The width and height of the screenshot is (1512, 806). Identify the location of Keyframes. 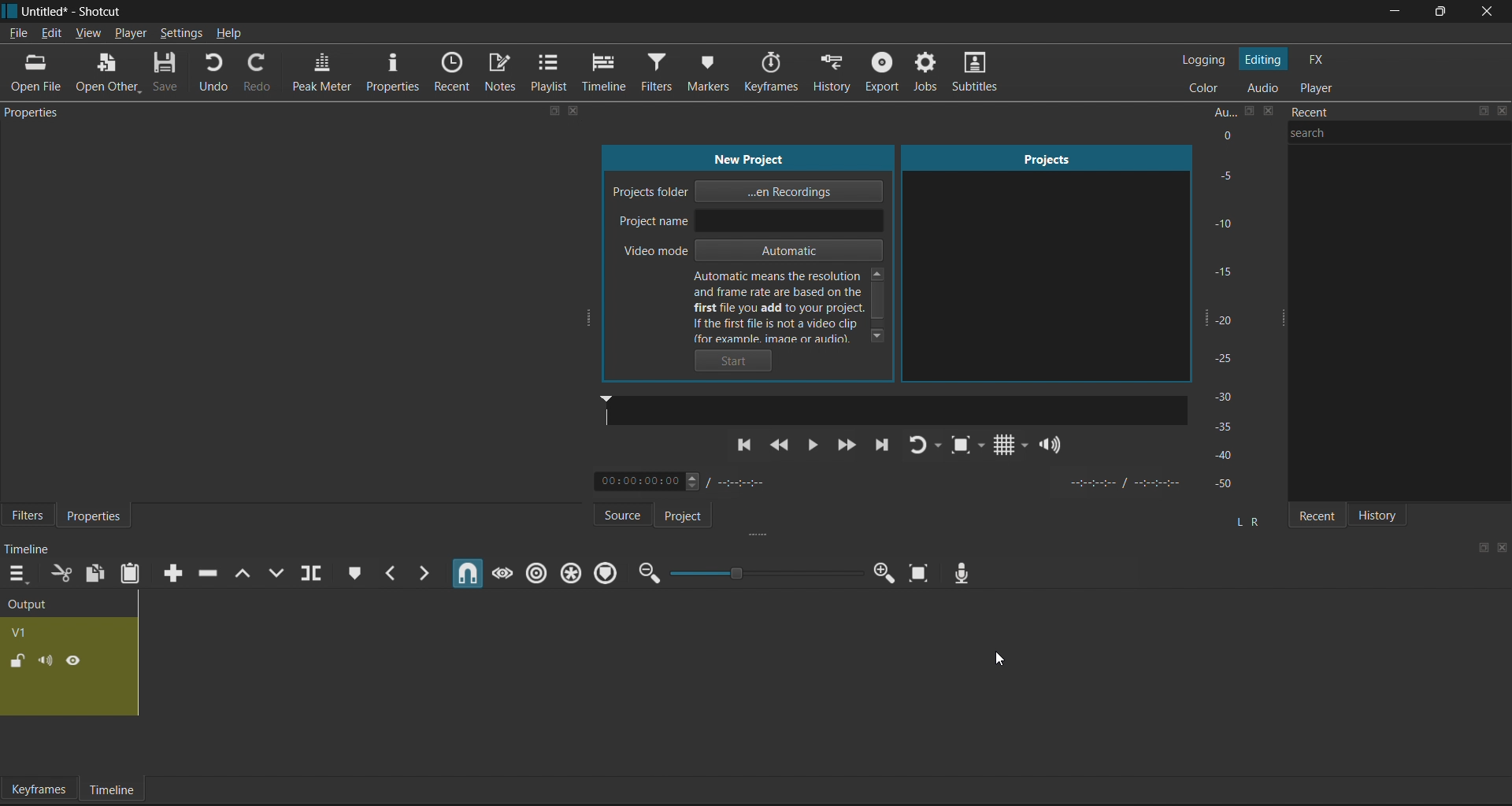
(779, 72).